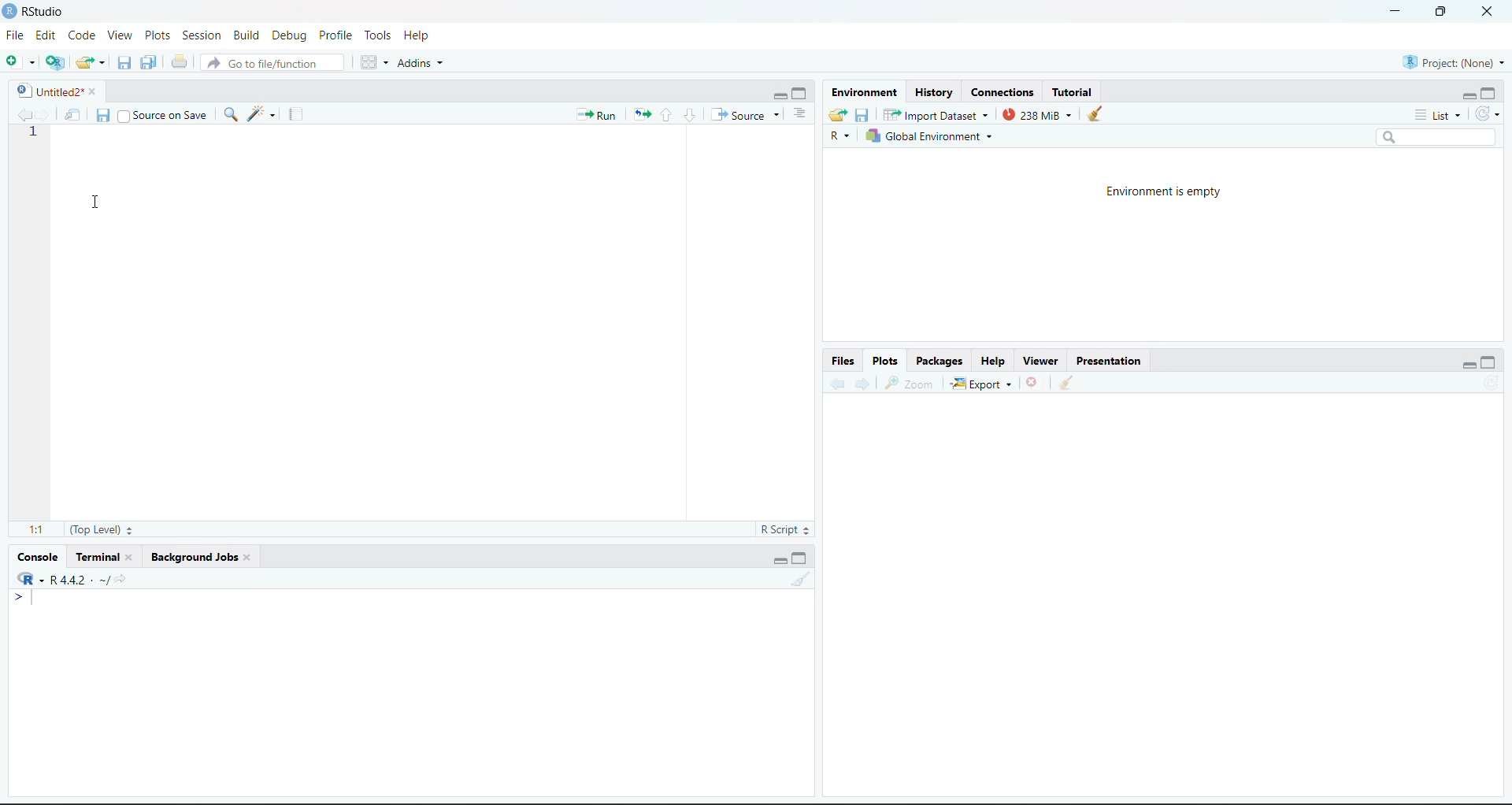  What do you see at coordinates (1441, 10) in the screenshot?
I see `resize` at bounding box center [1441, 10].